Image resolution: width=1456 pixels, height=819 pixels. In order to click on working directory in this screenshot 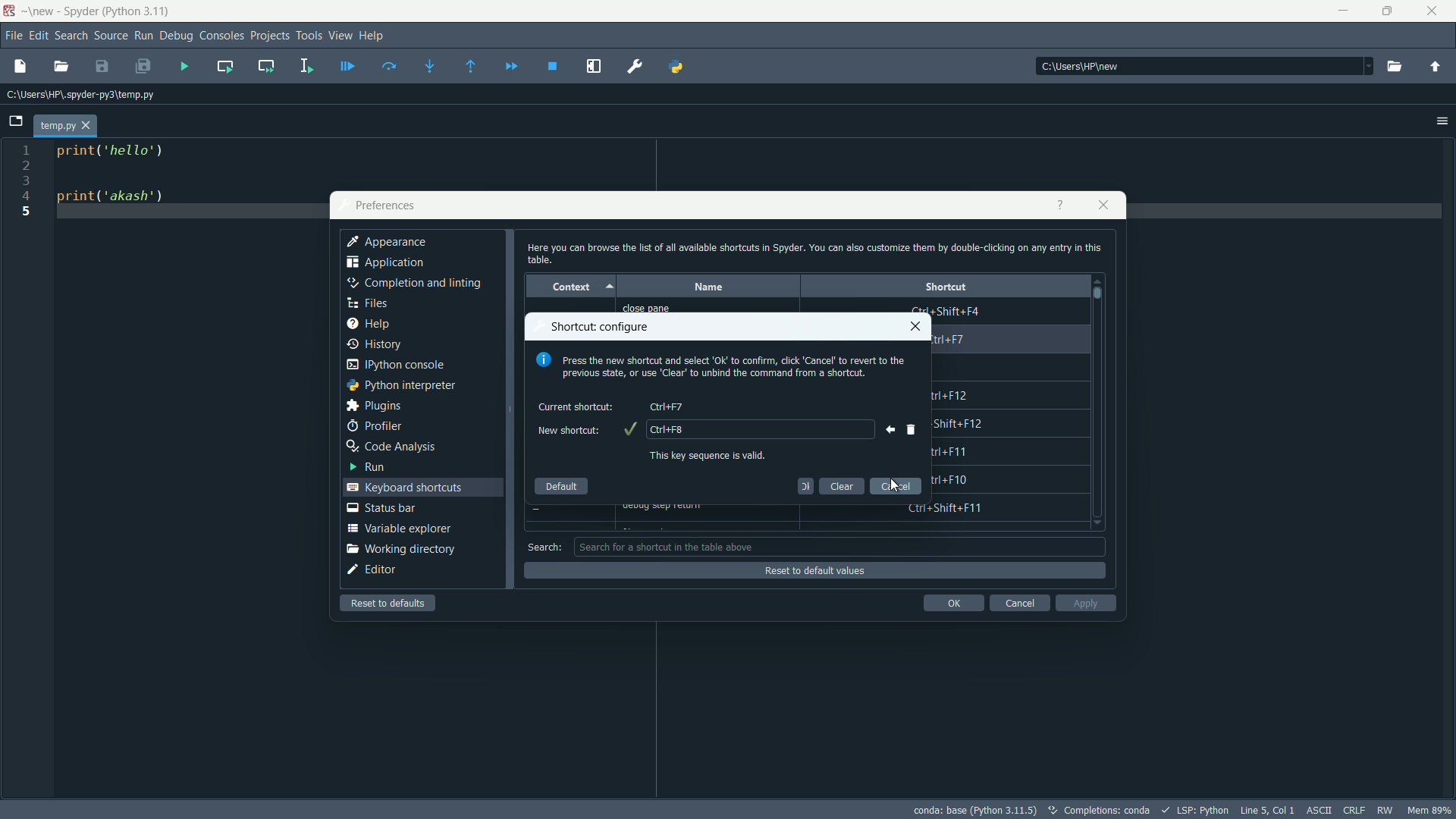, I will do `click(400, 549)`.